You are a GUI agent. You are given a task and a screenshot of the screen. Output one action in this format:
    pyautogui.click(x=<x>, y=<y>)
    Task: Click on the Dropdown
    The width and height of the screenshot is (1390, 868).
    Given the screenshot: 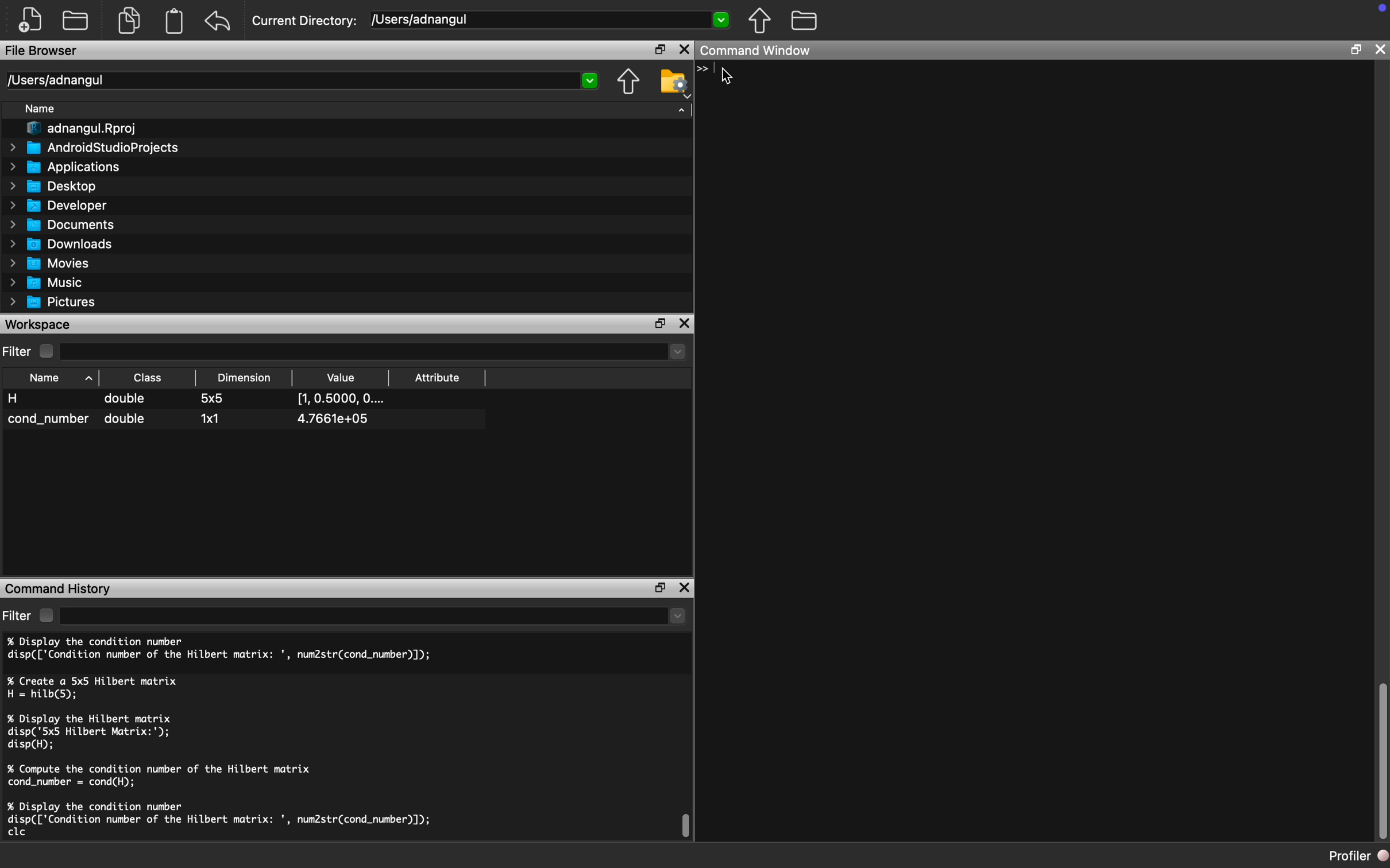 What is the action you would take?
    pyautogui.click(x=372, y=353)
    